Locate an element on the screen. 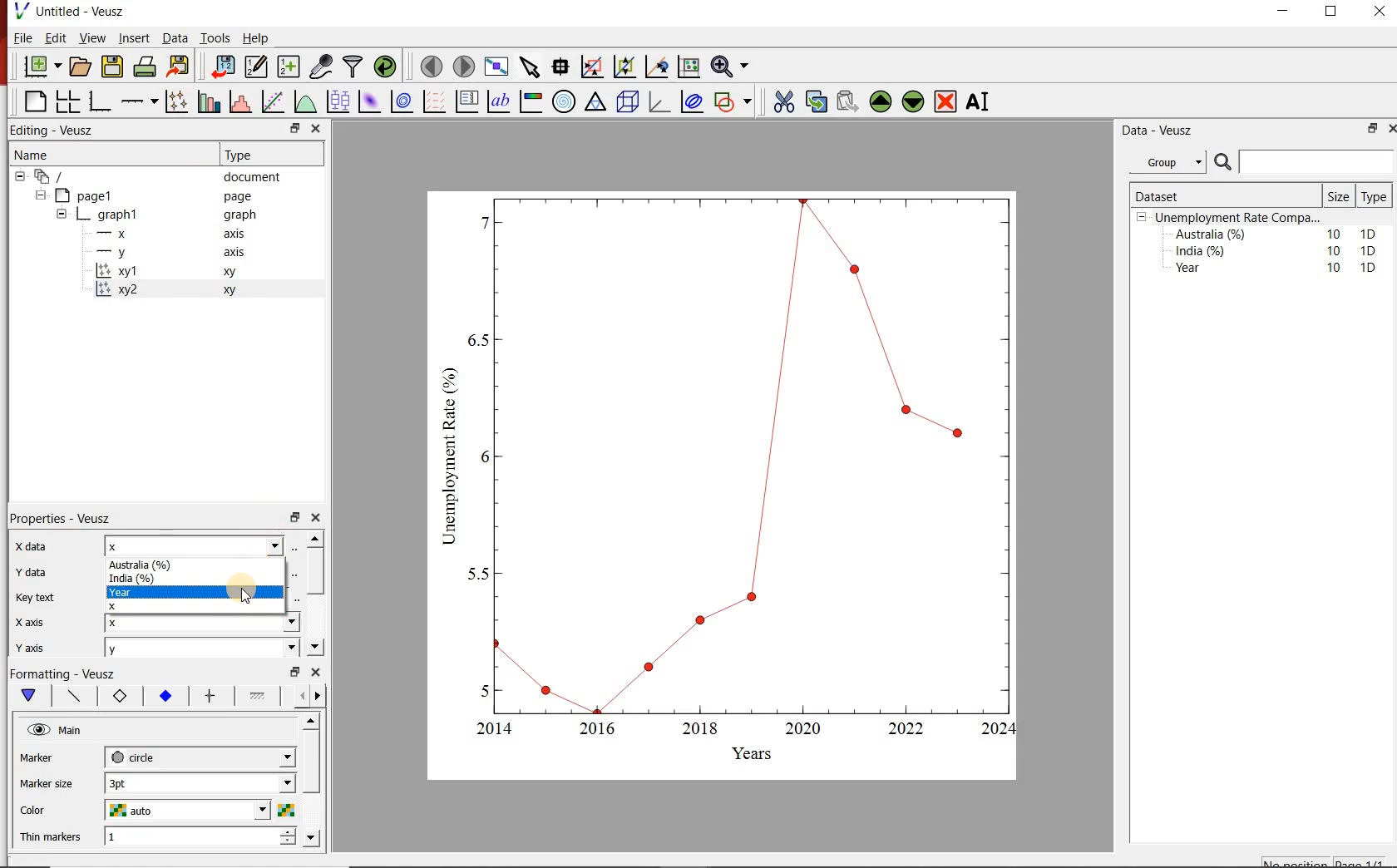  close is located at coordinates (317, 128).